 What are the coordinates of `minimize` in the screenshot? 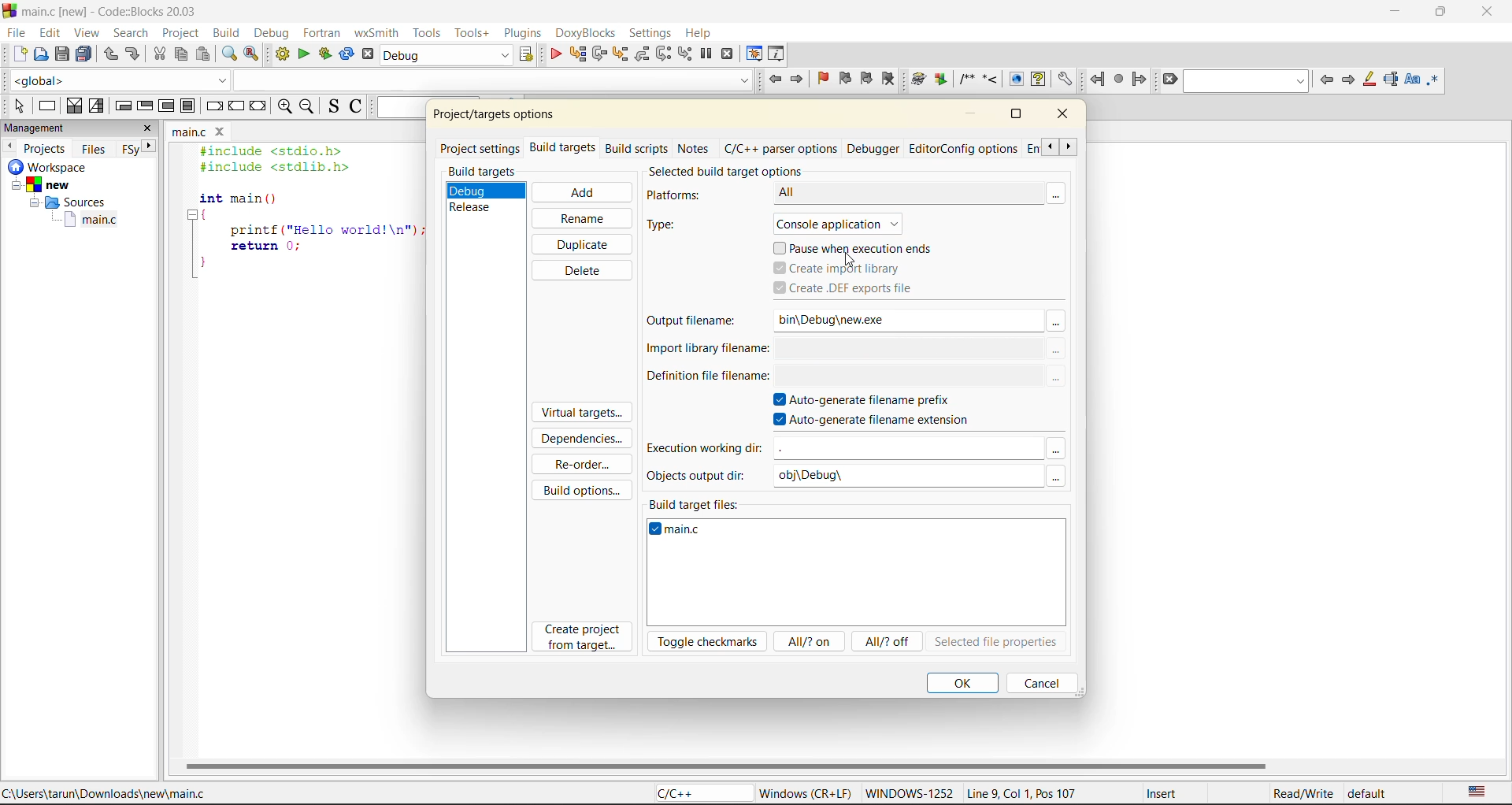 It's located at (973, 114).